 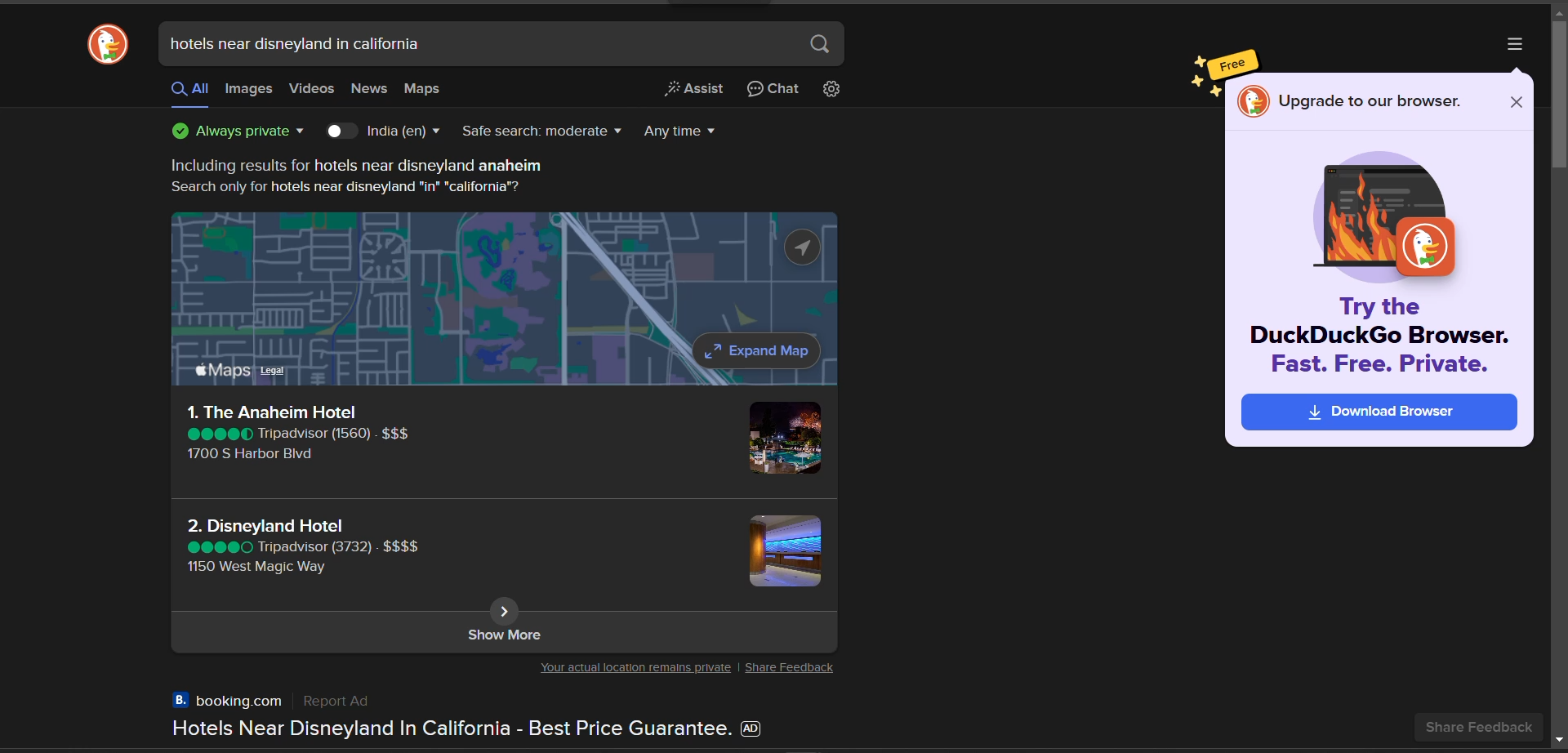 What do you see at coordinates (838, 91) in the screenshot?
I see `change search settings` at bounding box center [838, 91].